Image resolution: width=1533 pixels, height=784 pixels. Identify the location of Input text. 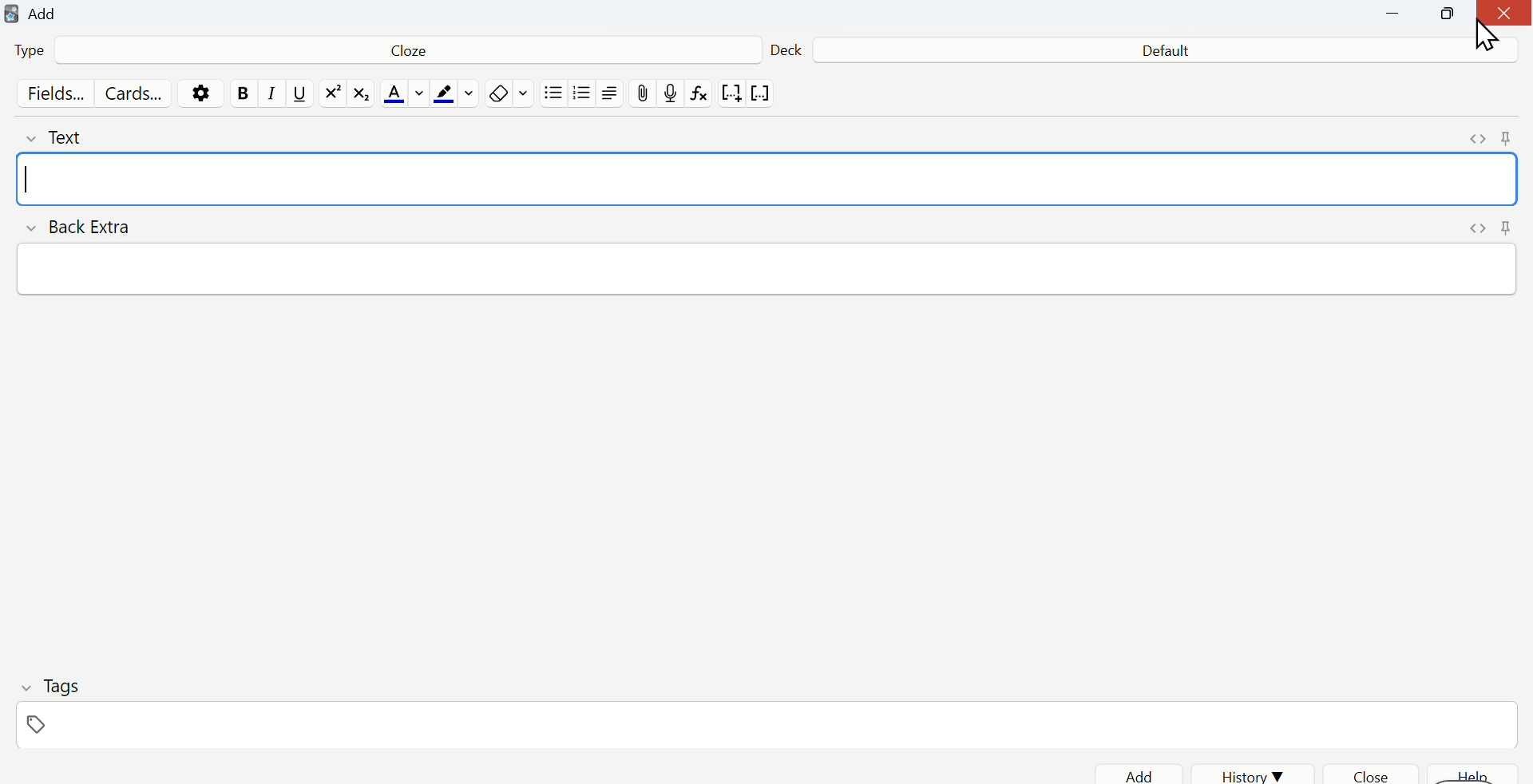
(770, 271).